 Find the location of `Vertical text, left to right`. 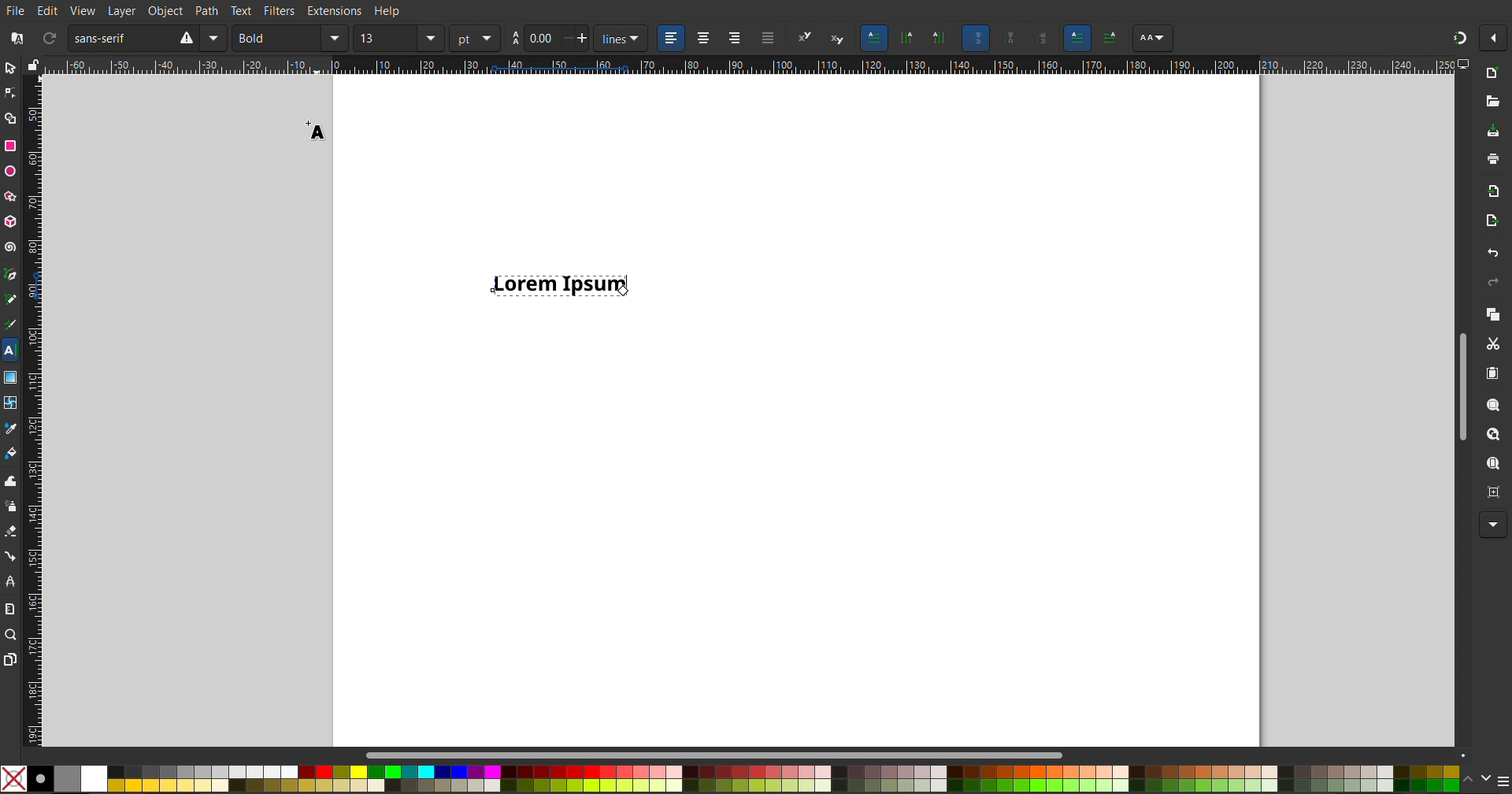

Vertical text, left to right is located at coordinates (937, 39).